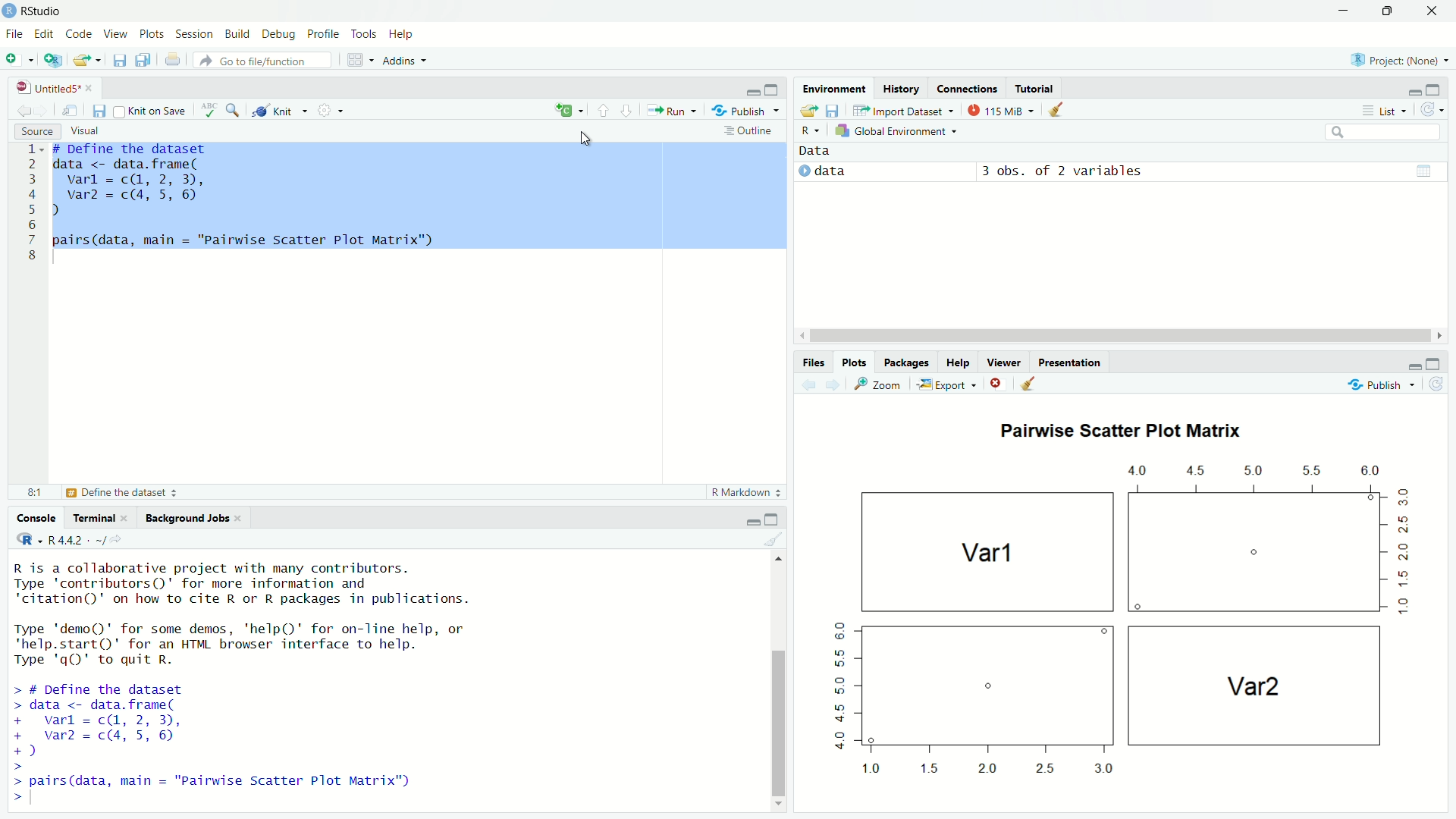  Describe the element at coordinates (101, 109) in the screenshot. I see `Save current document (Ctrl + S)` at that location.